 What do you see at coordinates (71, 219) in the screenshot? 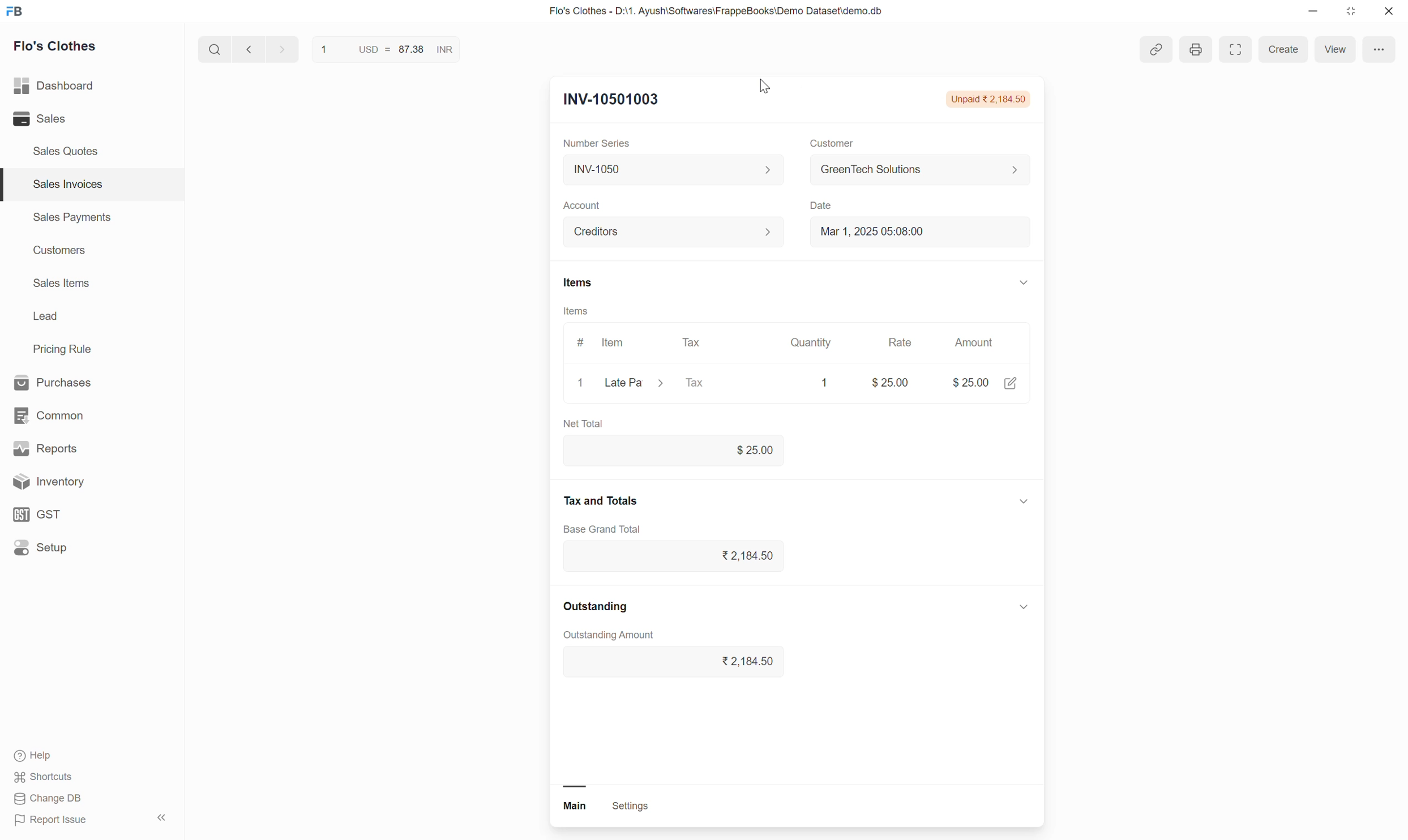
I see `Sales Payments` at bounding box center [71, 219].